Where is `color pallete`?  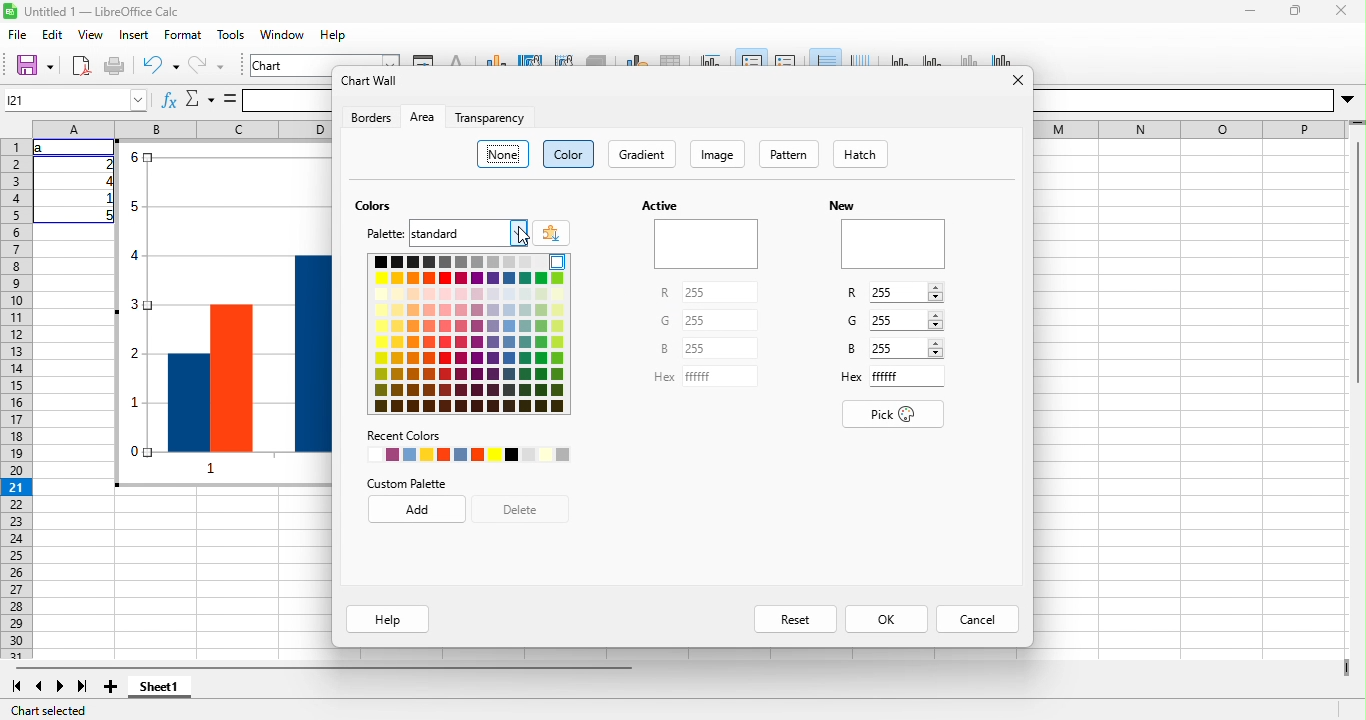
color pallete is located at coordinates (469, 334).